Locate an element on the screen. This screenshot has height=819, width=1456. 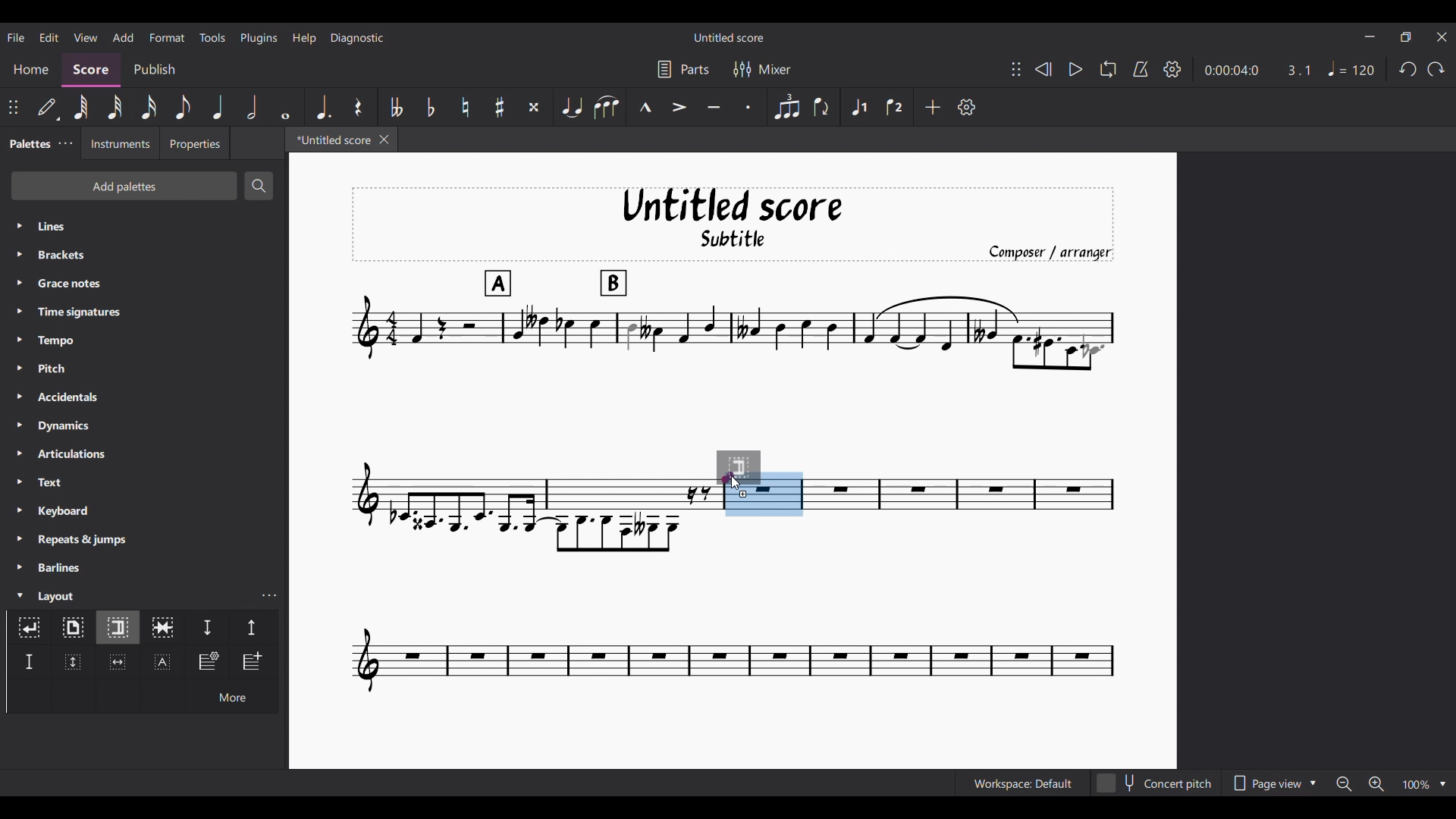
8th note is located at coordinates (183, 107).